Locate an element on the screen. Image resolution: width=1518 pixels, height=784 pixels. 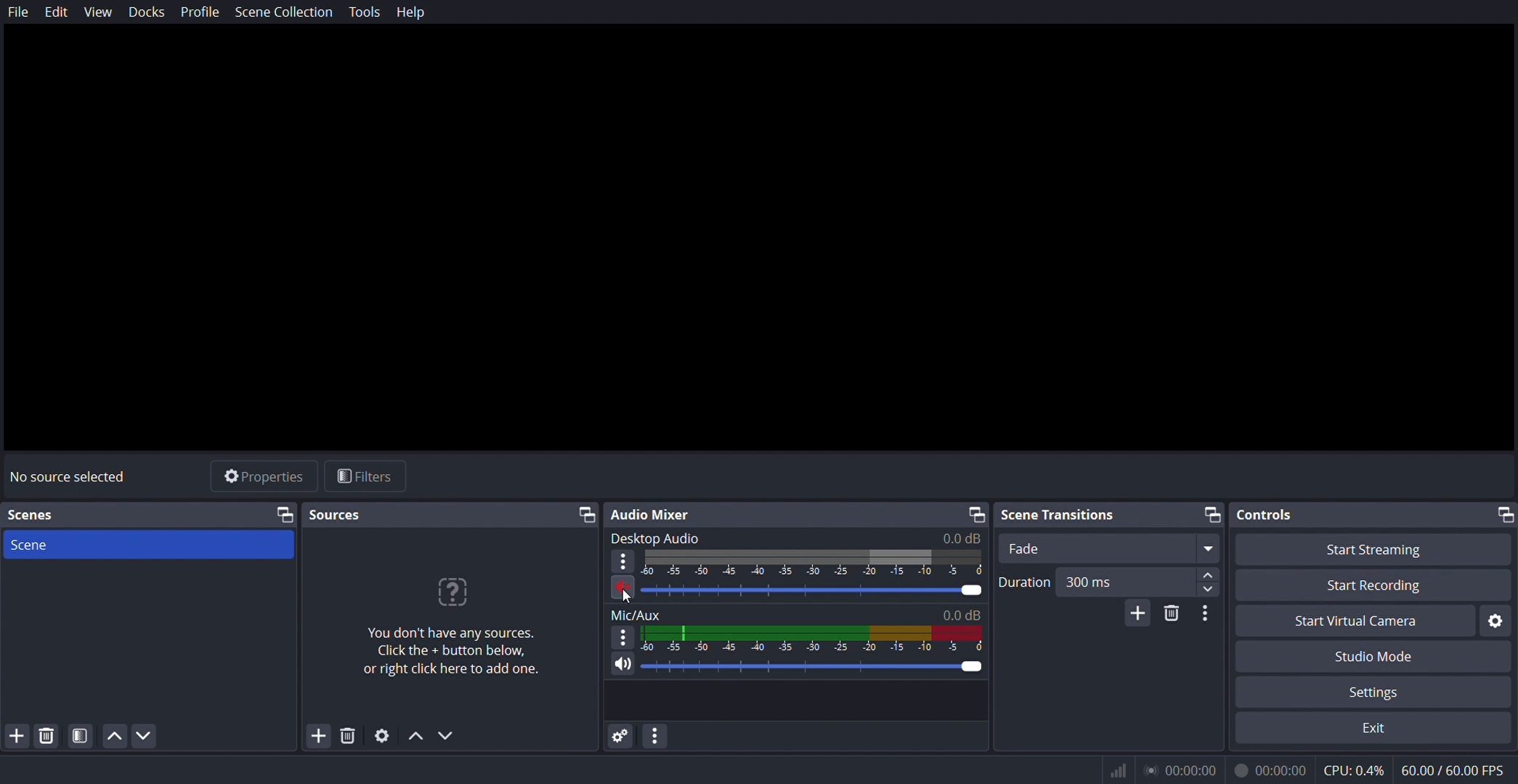
settings is located at coordinates (383, 735).